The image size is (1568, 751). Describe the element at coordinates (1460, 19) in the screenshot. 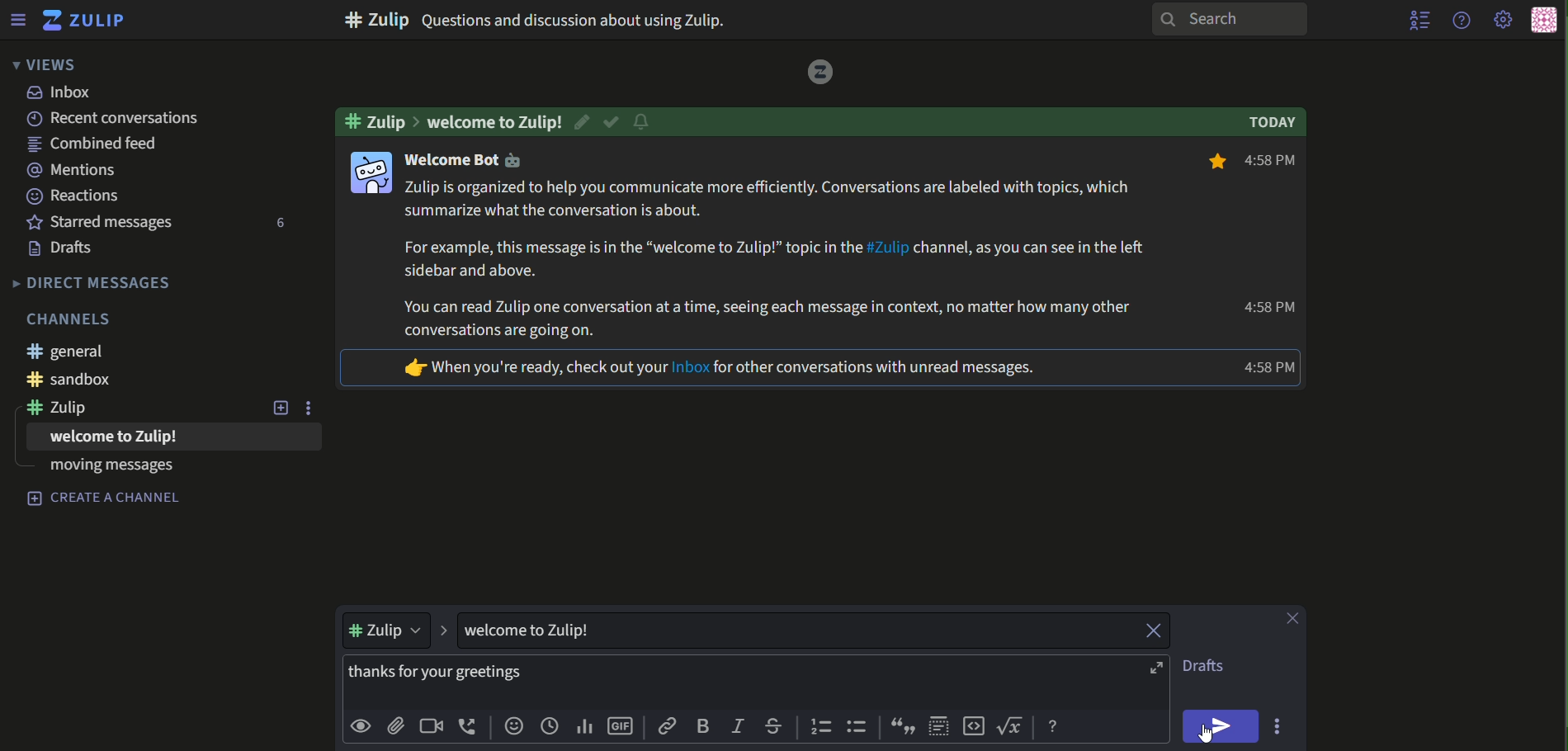

I see `help menu` at that location.